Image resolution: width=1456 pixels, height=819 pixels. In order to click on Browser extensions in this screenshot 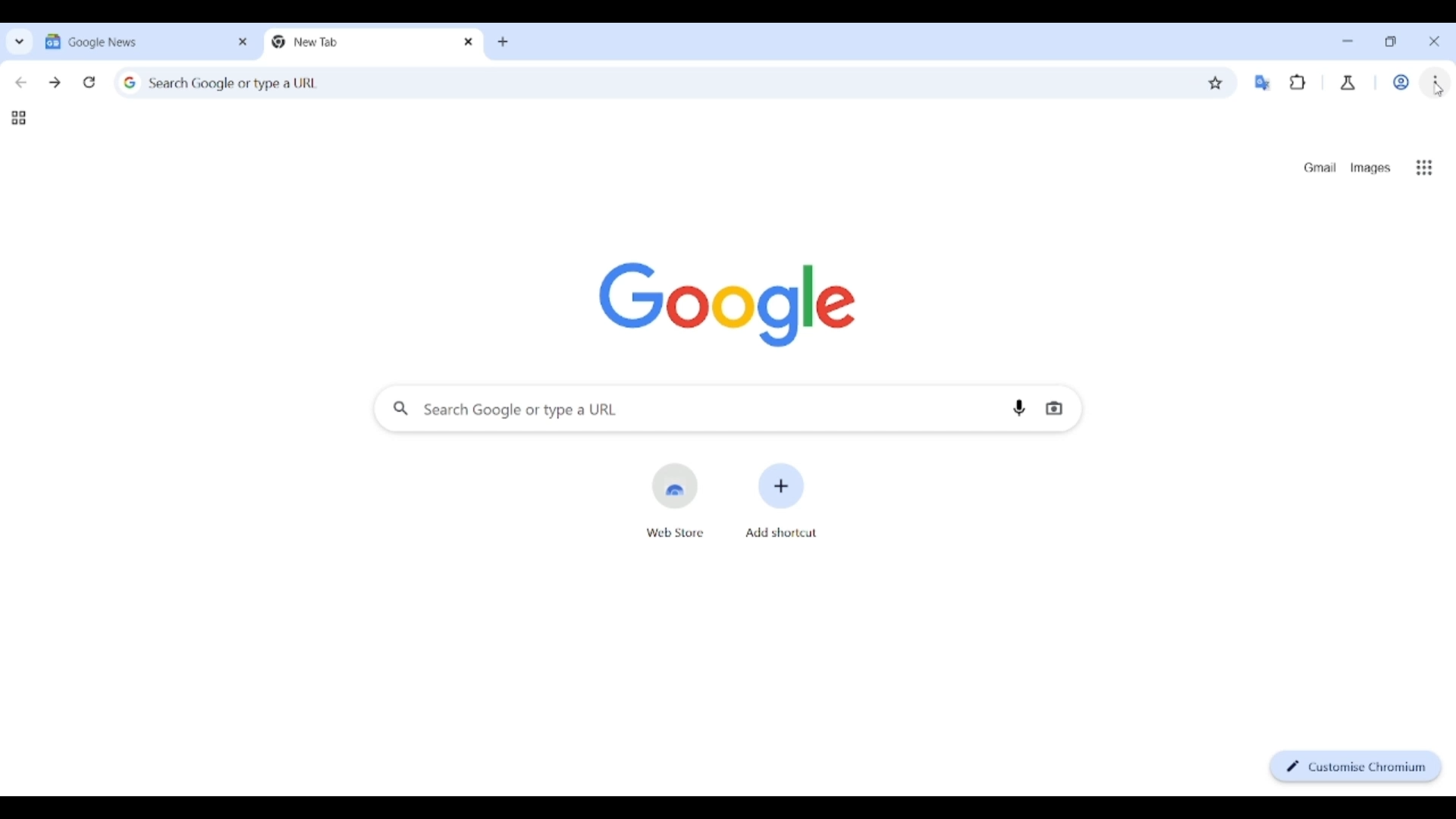, I will do `click(1298, 82)`.